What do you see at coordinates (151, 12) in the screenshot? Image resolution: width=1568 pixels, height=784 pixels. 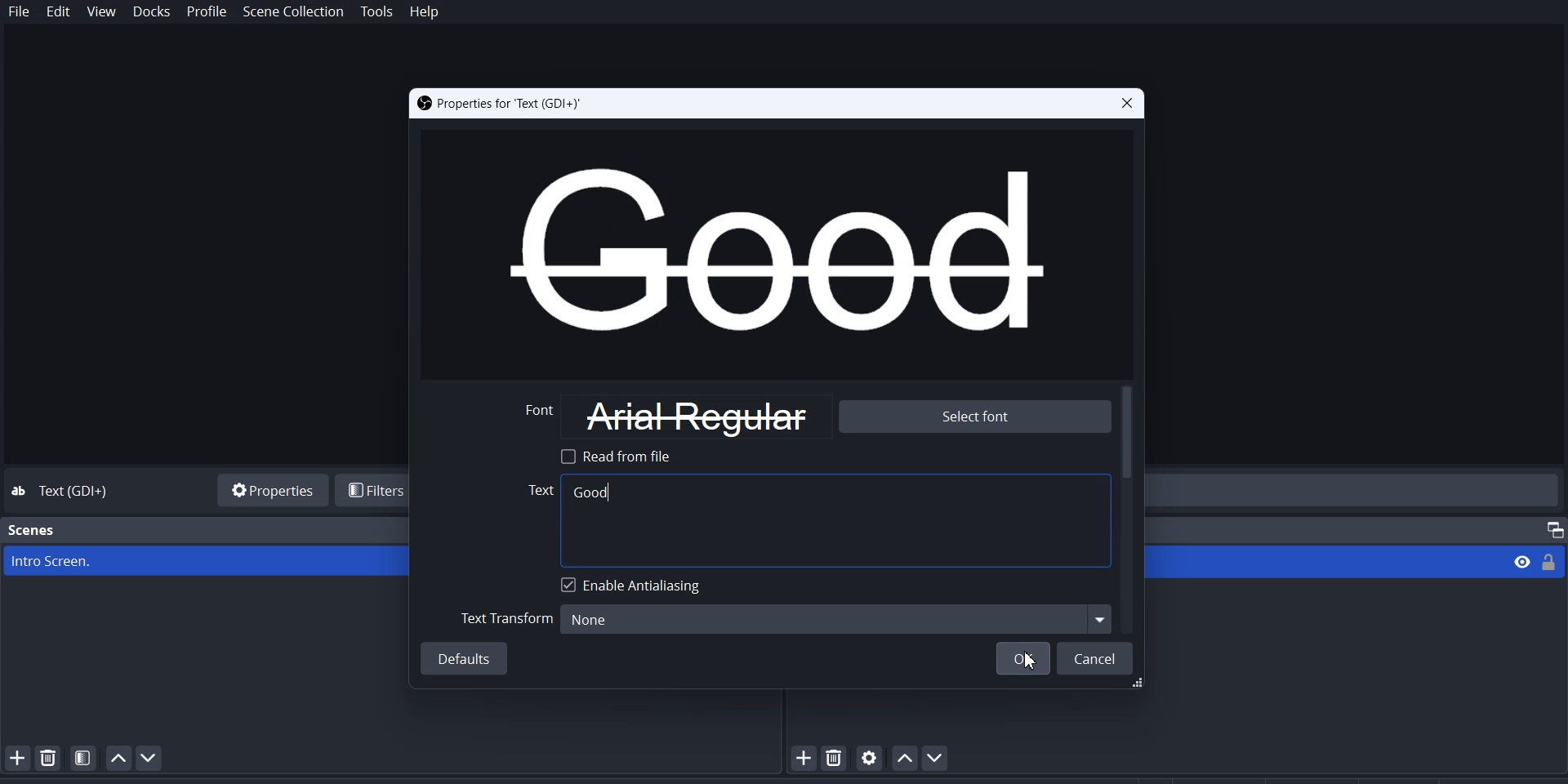 I see `Docks` at bounding box center [151, 12].